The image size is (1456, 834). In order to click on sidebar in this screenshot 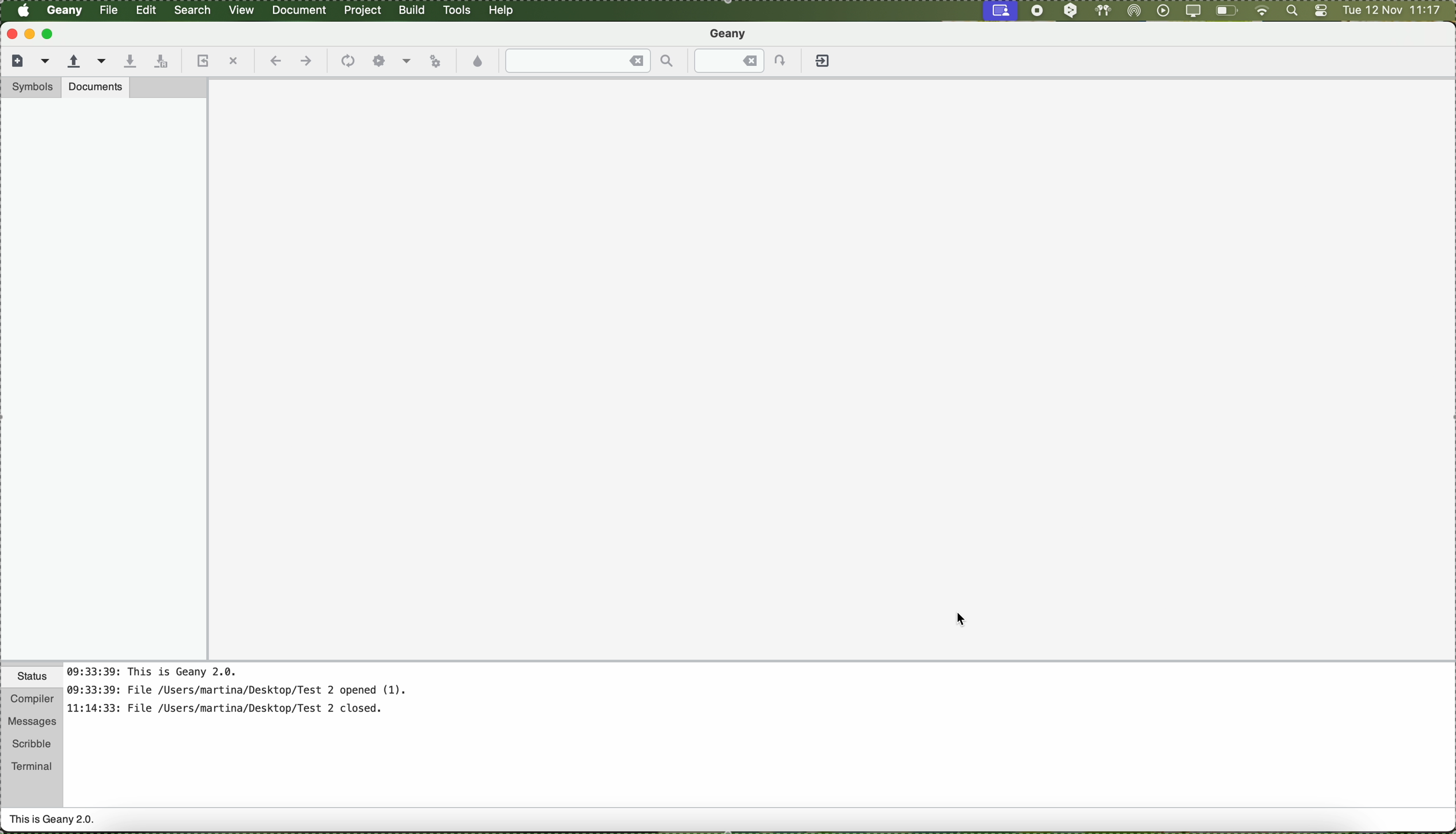, I will do `click(104, 379)`.